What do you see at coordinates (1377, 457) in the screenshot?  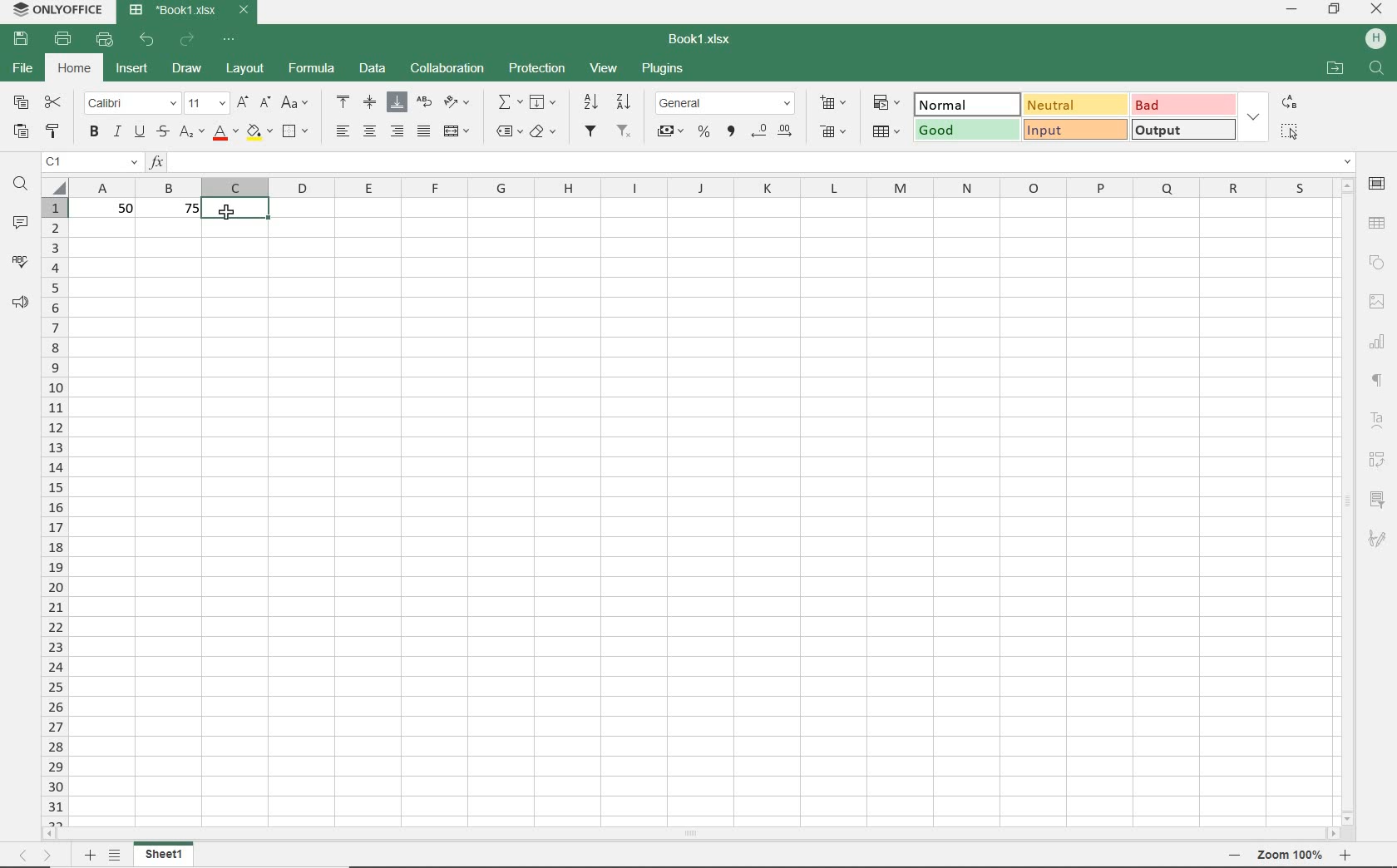 I see `Pivot table` at bounding box center [1377, 457].